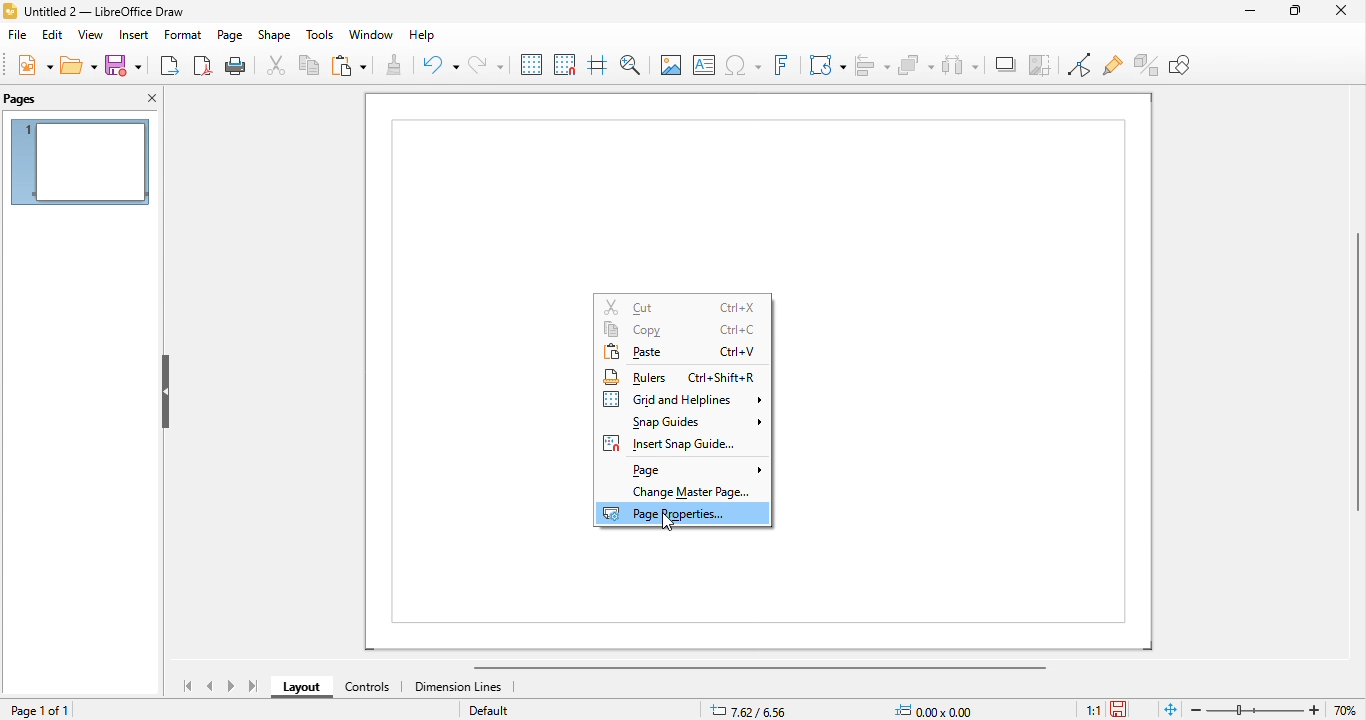 Image resolution: width=1366 pixels, height=720 pixels. I want to click on crop, so click(1039, 65).